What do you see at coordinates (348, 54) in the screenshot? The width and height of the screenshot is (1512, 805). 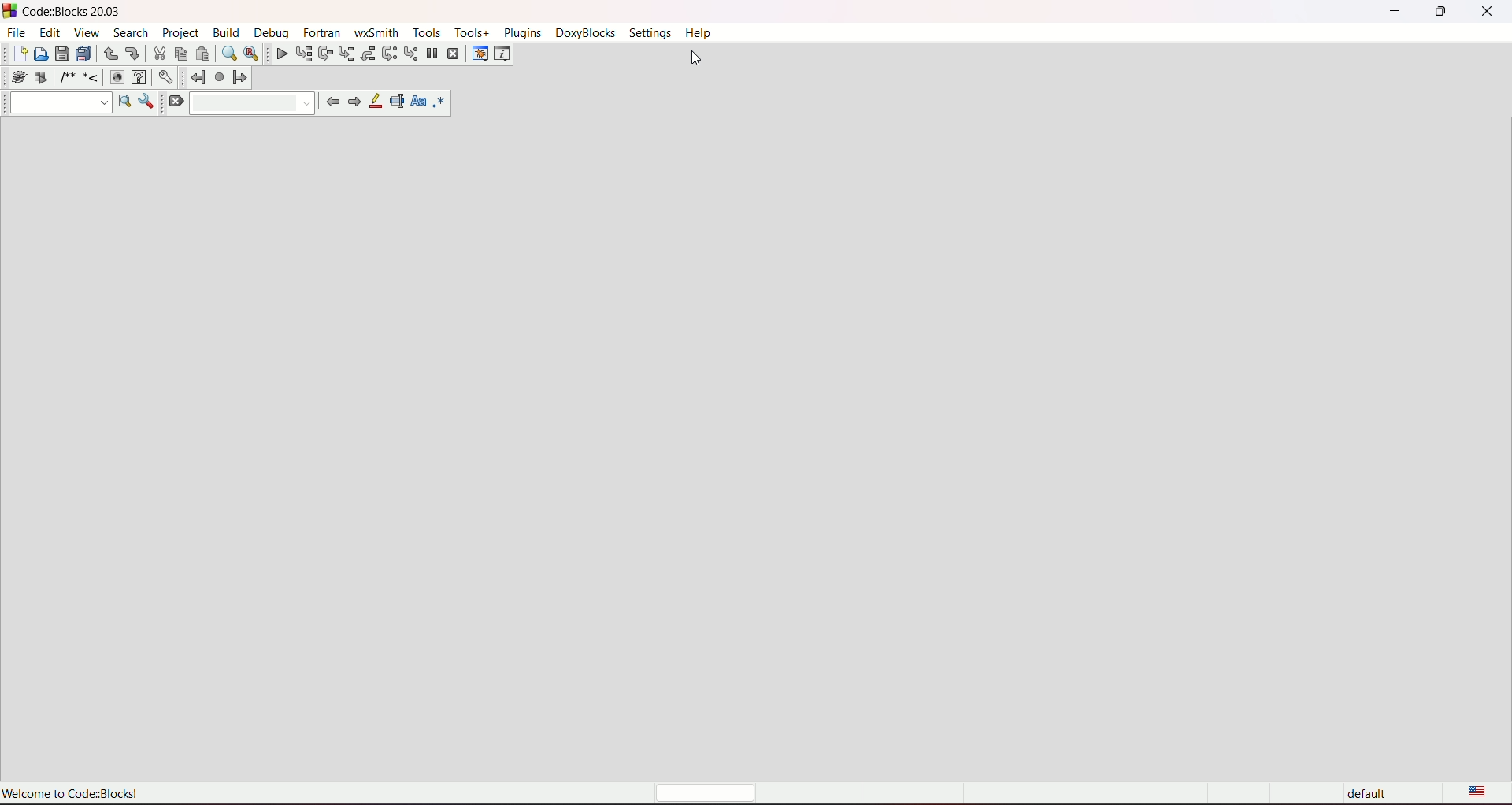 I see `step into` at bounding box center [348, 54].